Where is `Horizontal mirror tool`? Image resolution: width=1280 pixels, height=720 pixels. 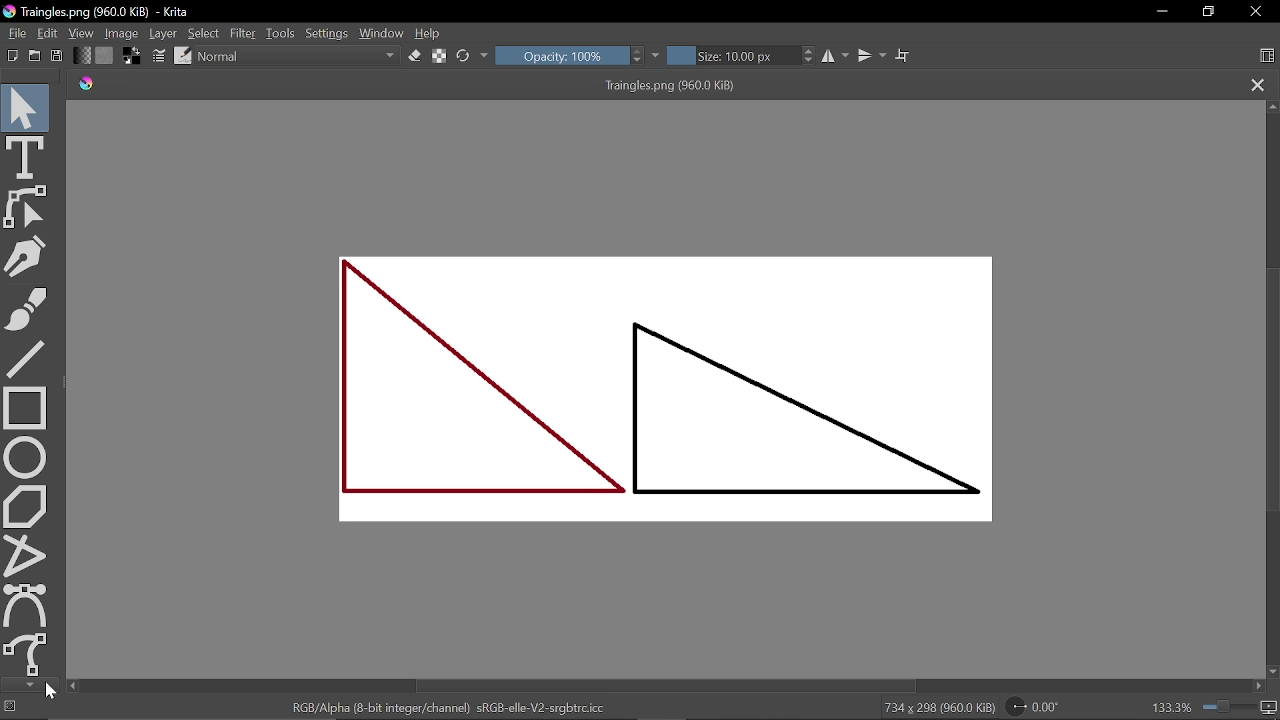 Horizontal mirror tool is located at coordinates (837, 57).